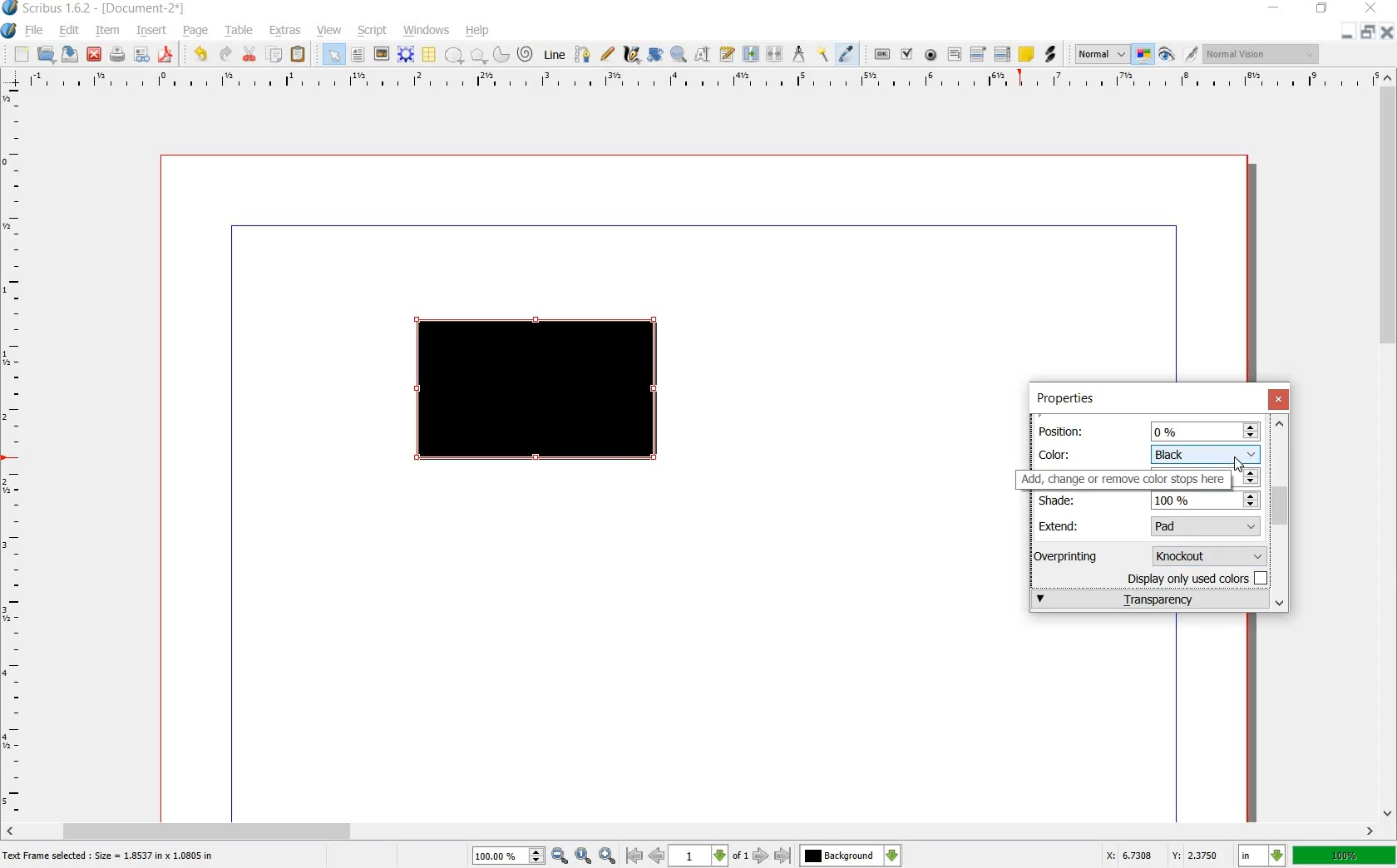 The image size is (1397, 868). What do you see at coordinates (1205, 453) in the screenshot?
I see `black` at bounding box center [1205, 453].